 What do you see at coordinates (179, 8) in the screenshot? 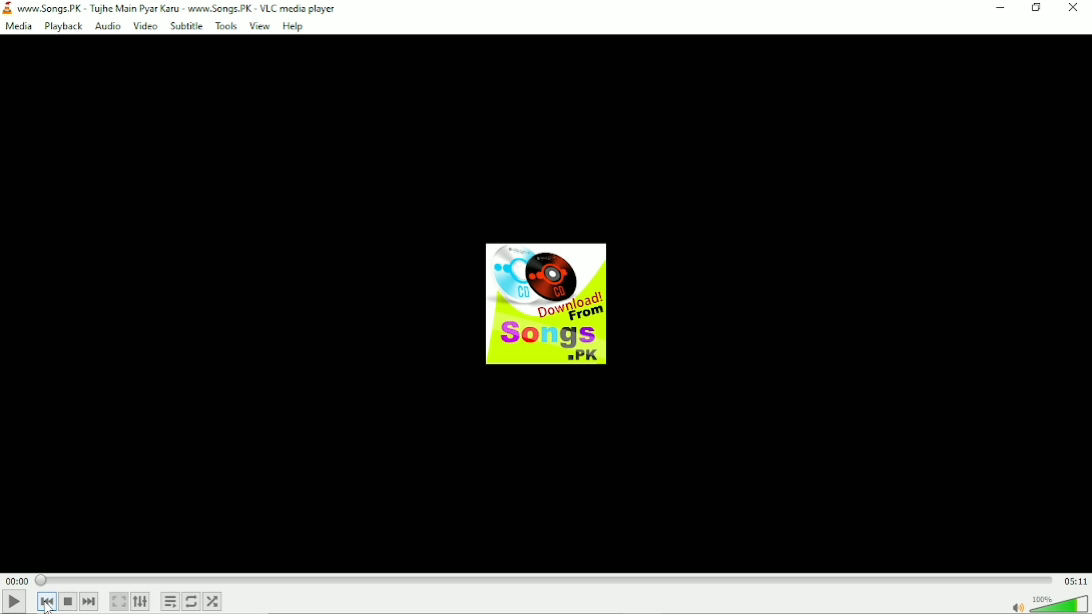
I see `‘www Songs. PK - Tughe Main Pyar Karu - waw.Songs PK - VLC media player` at bounding box center [179, 8].